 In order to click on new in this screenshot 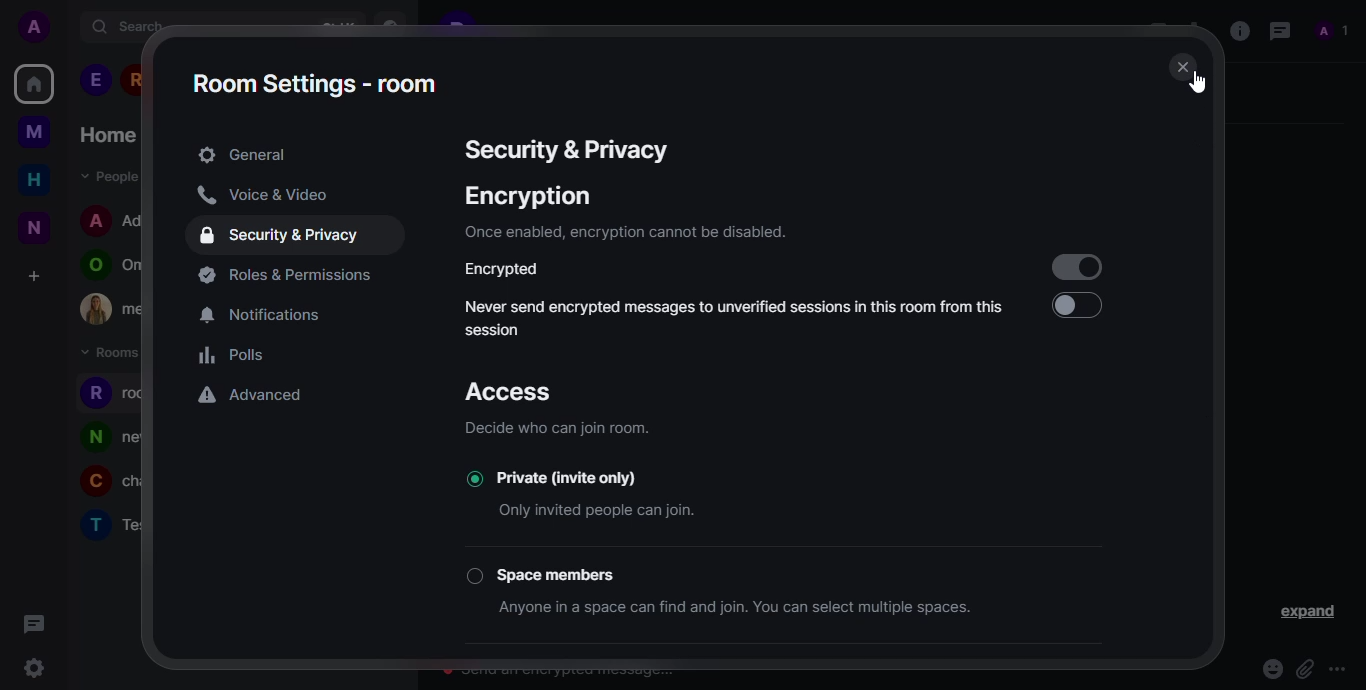, I will do `click(34, 227)`.